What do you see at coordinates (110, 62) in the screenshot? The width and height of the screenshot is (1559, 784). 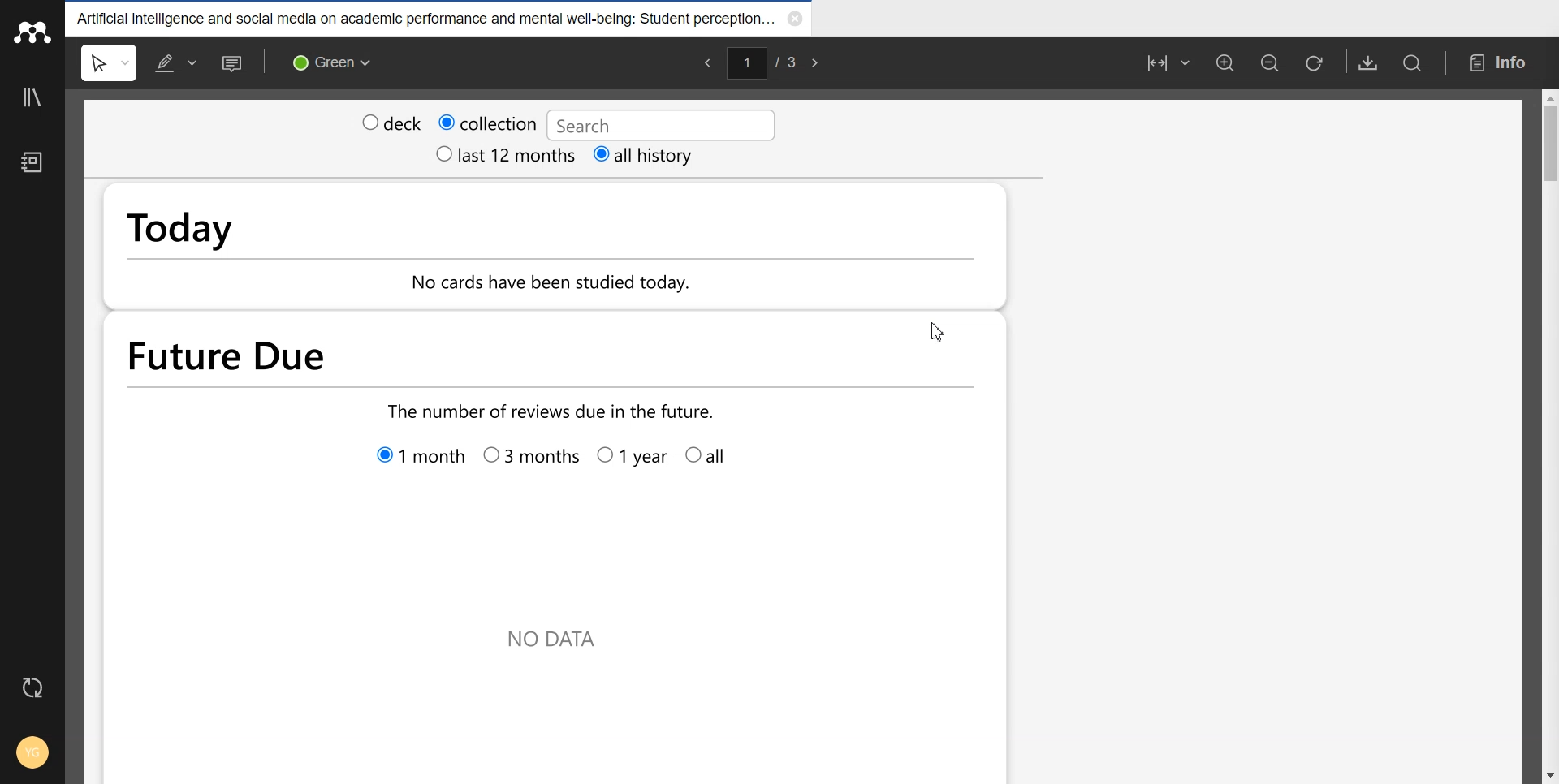 I see `Select text` at bounding box center [110, 62].